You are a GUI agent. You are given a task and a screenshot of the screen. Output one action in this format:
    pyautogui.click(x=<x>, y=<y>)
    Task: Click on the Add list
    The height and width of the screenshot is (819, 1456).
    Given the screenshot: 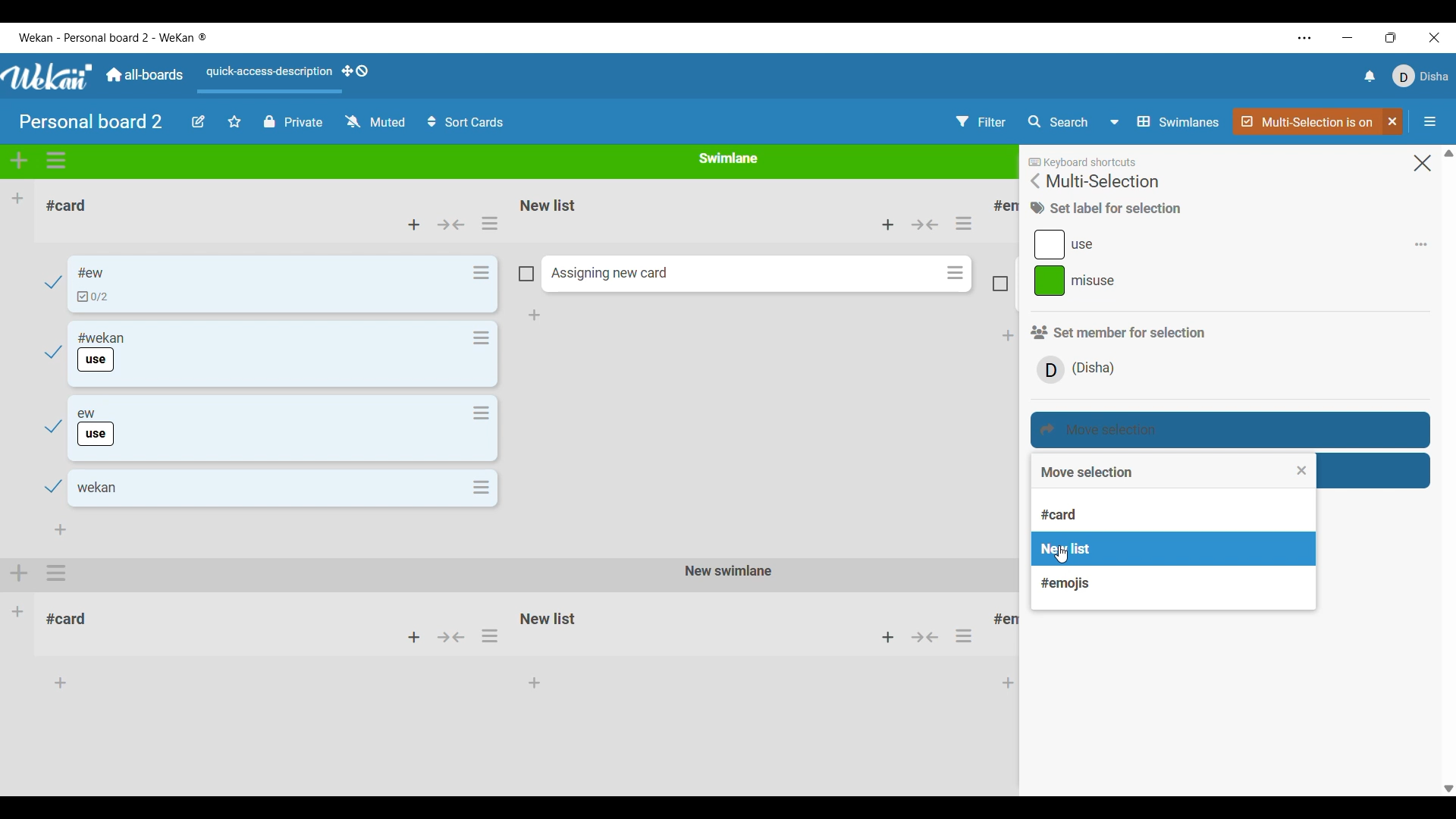 What is the action you would take?
    pyautogui.click(x=17, y=199)
    